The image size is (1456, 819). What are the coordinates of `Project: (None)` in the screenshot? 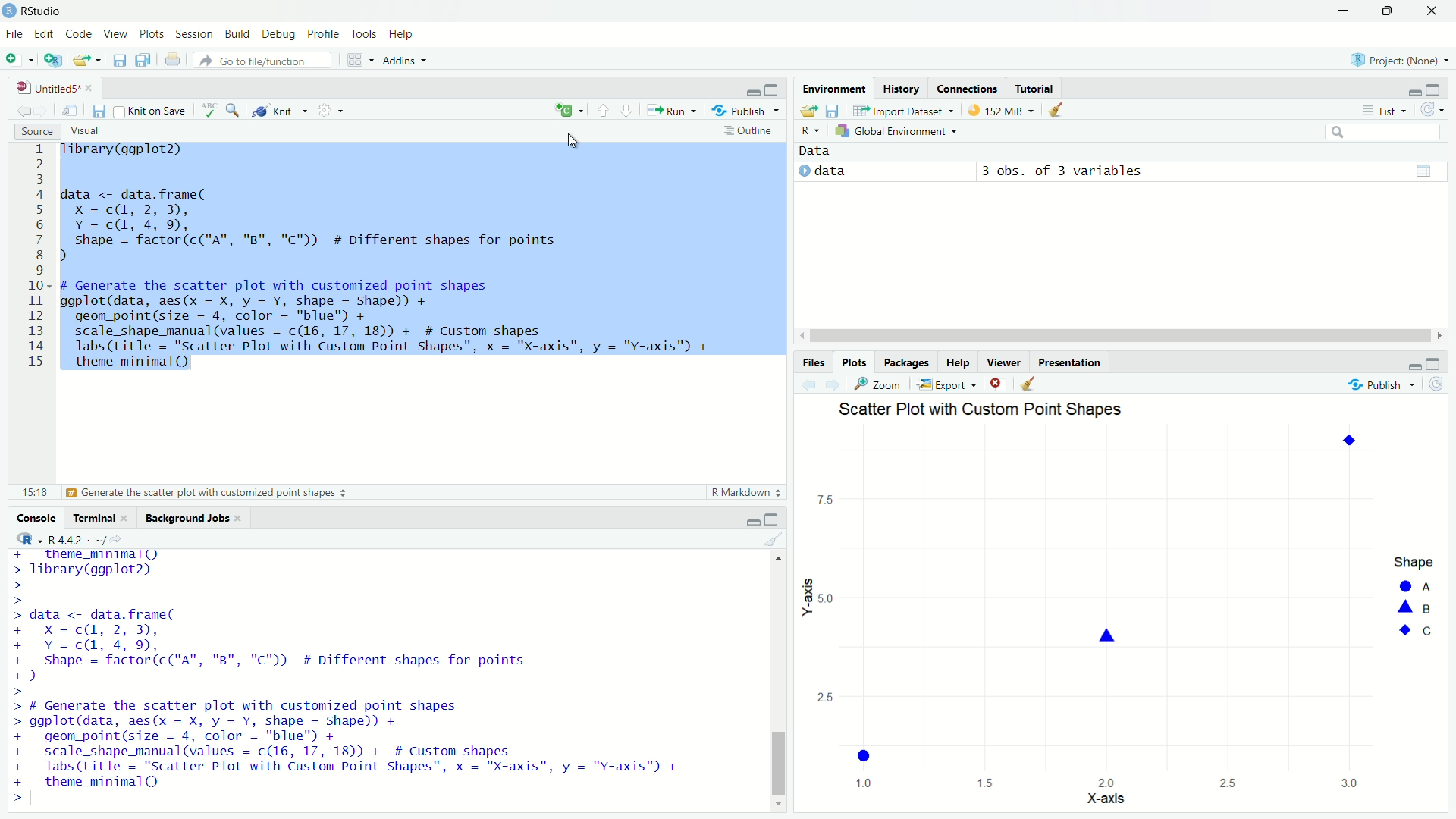 It's located at (1398, 60).